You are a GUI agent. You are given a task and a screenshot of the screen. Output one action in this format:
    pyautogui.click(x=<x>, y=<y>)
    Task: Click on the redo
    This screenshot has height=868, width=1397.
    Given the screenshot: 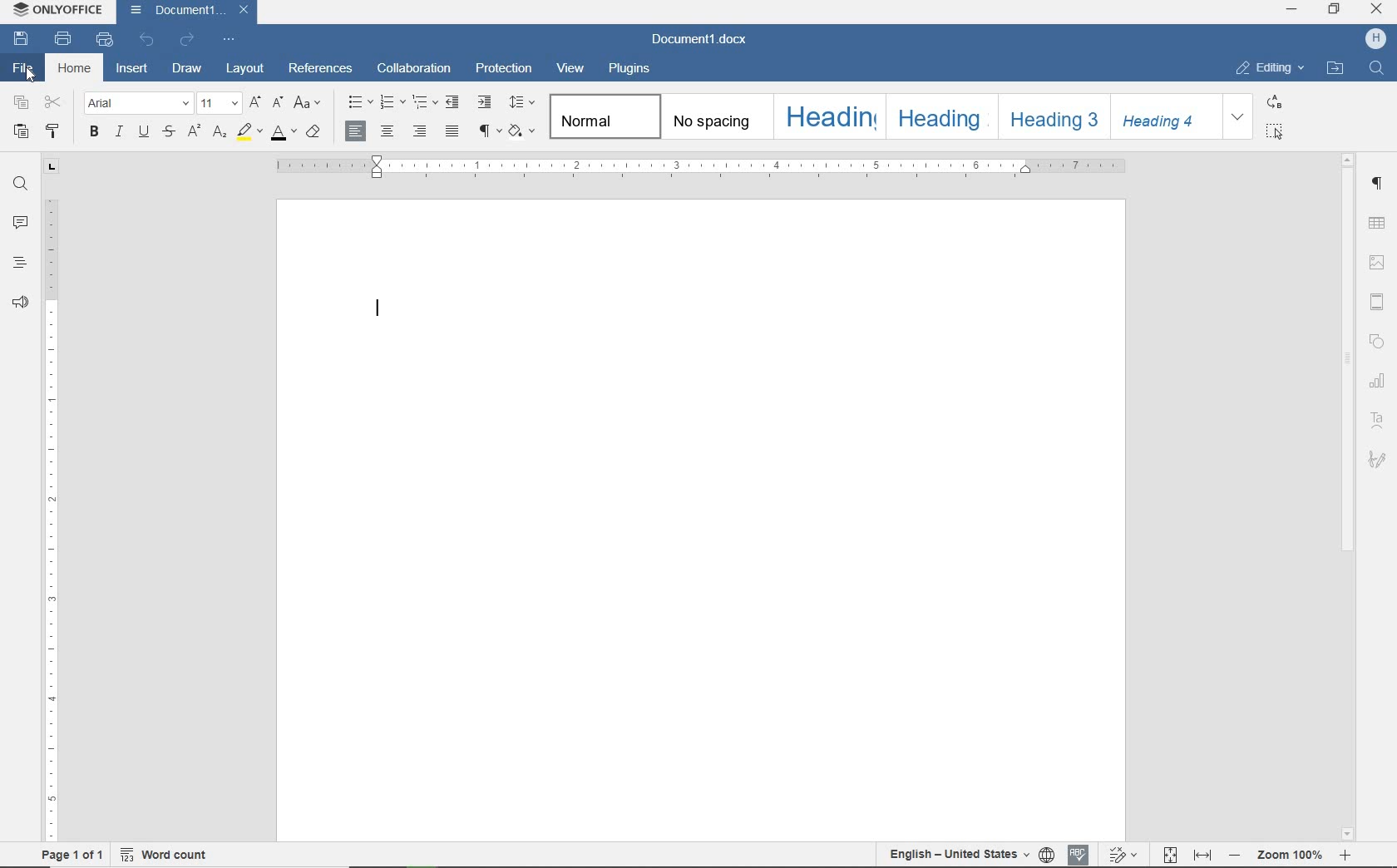 What is the action you would take?
    pyautogui.click(x=188, y=40)
    